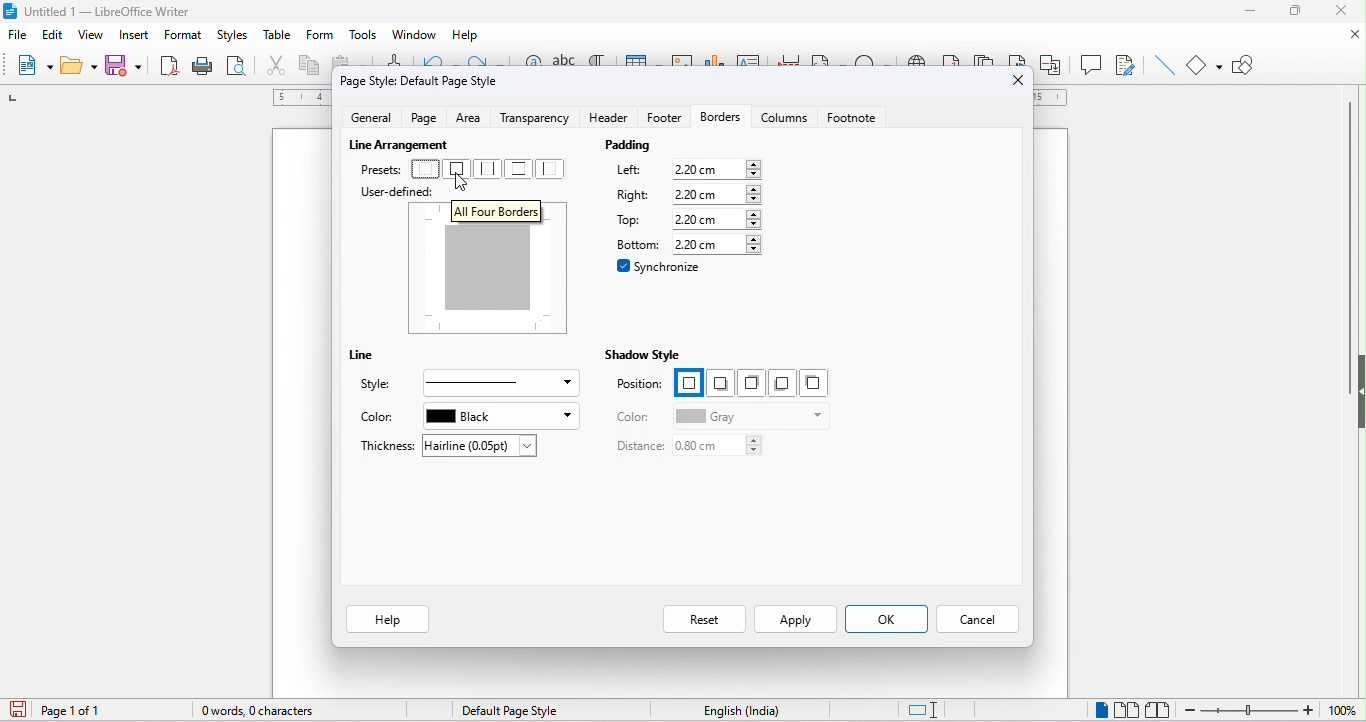  Describe the element at coordinates (491, 267) in the screenshot. I see `page preview` at that location.